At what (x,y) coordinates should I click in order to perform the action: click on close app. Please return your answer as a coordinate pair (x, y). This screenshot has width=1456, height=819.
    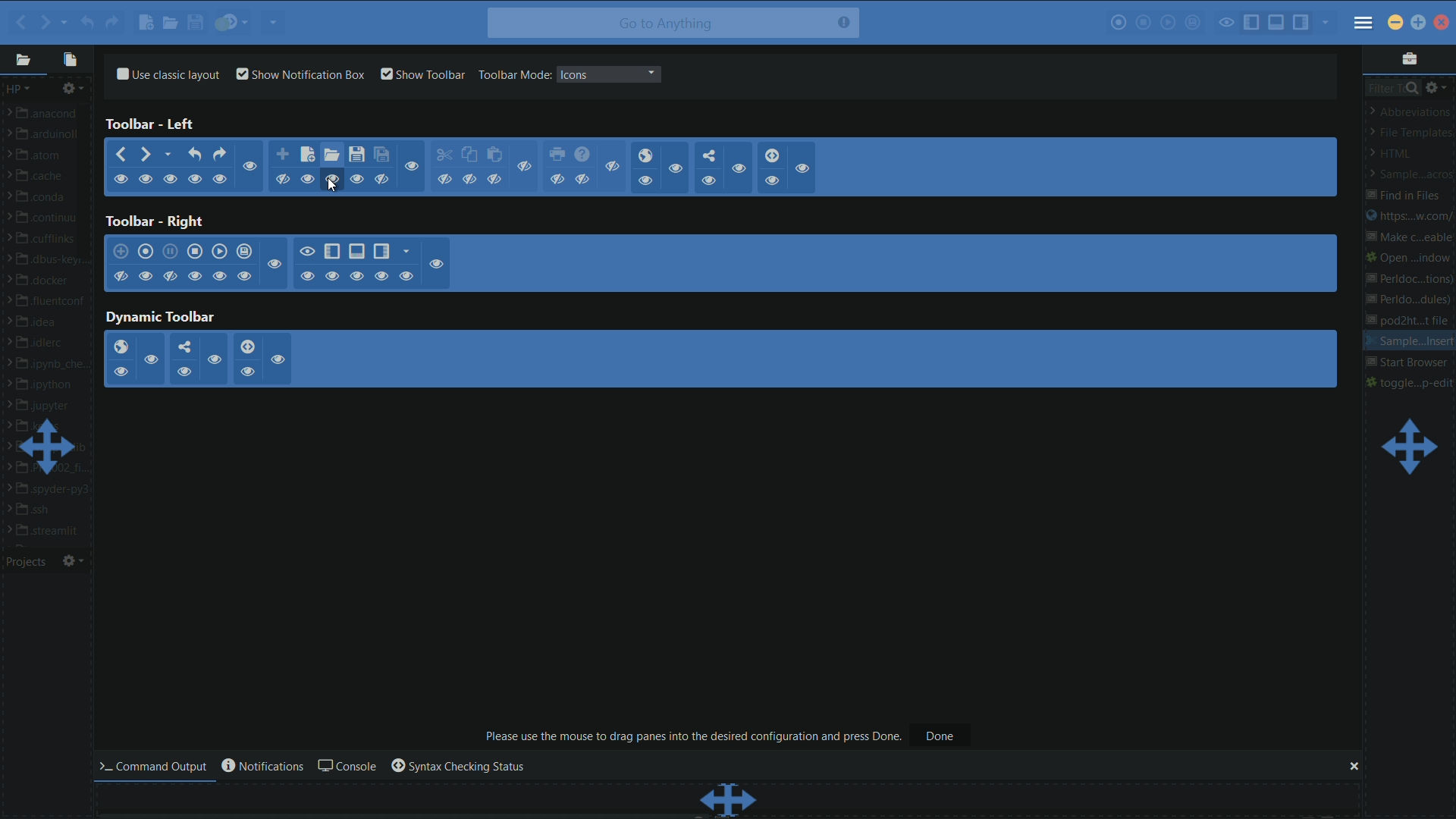
    Looking at the image, I should click on (1441, 23).